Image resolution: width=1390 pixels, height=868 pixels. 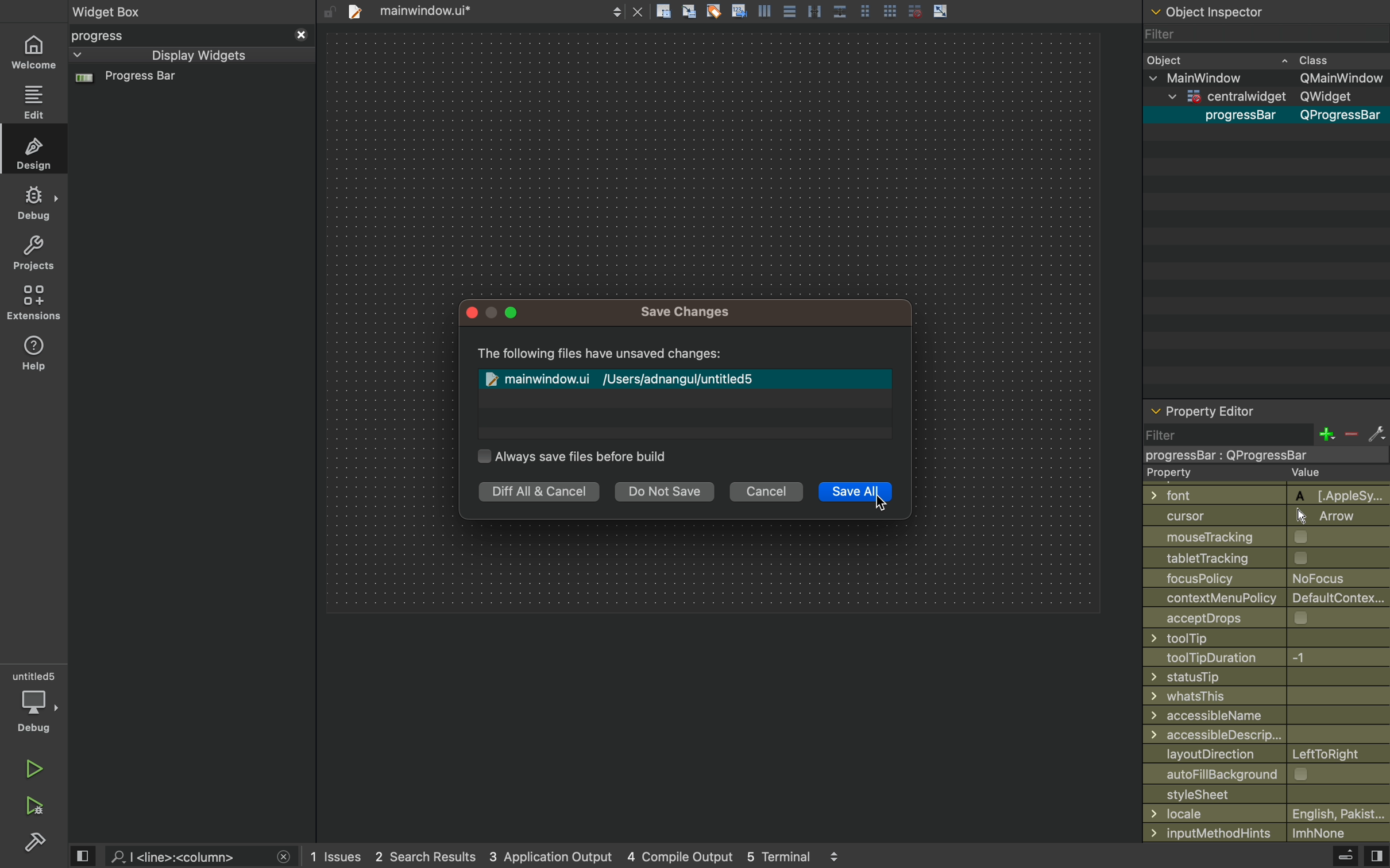 What do you see at coordinates (1267, 813) in the screenshot?
I see `locale` at bounding box center [1267, 813].